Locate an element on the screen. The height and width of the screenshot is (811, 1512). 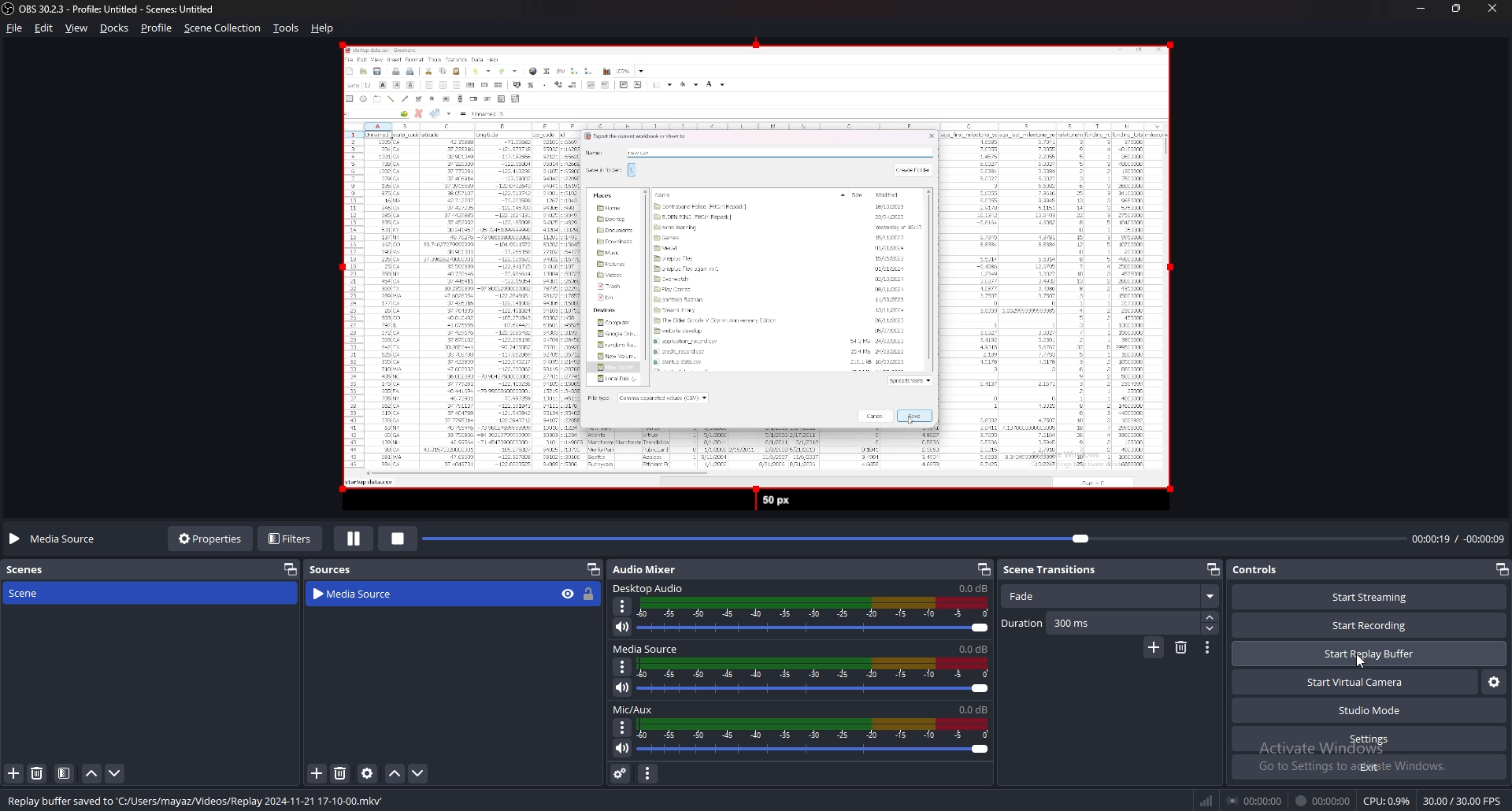
media source is located at coordinates (57, 539).